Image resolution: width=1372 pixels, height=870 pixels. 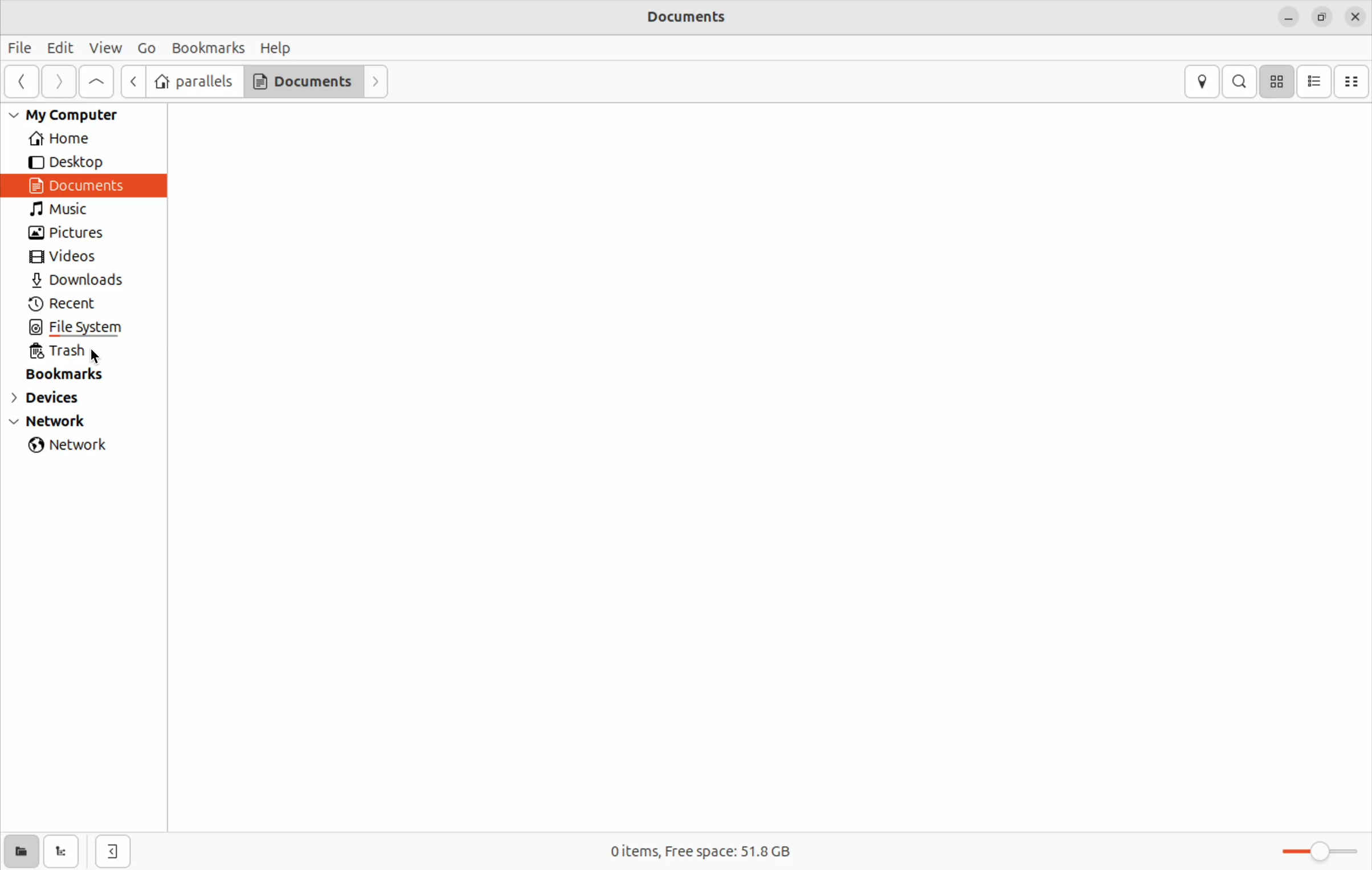 What do you see at coordinates (97, 82) in the screenshot?
I see `Go up` at bounding box center [97, 82].